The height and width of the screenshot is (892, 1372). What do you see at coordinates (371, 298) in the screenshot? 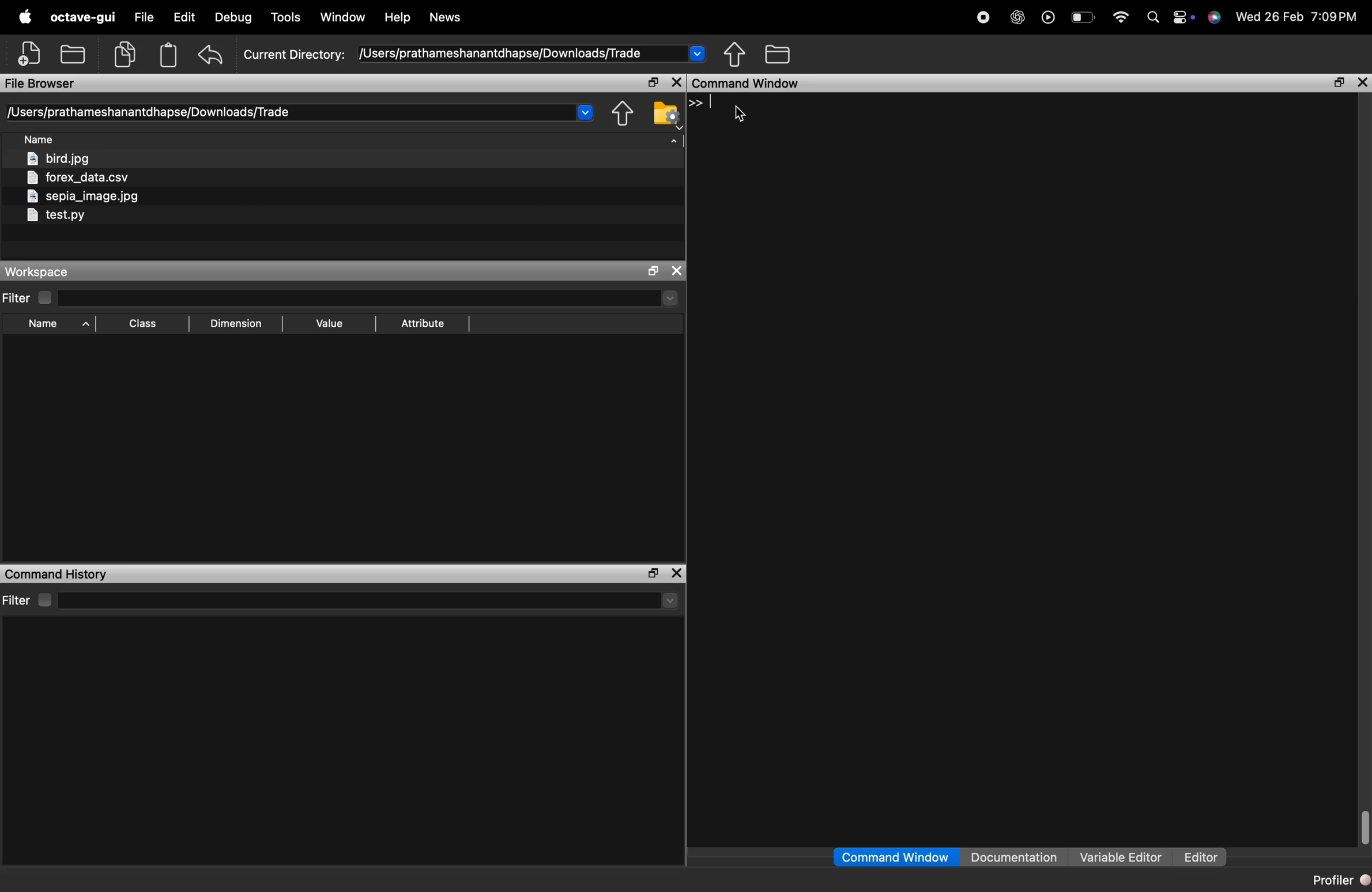
I see `select directory ` at bounding box center [371, 298].